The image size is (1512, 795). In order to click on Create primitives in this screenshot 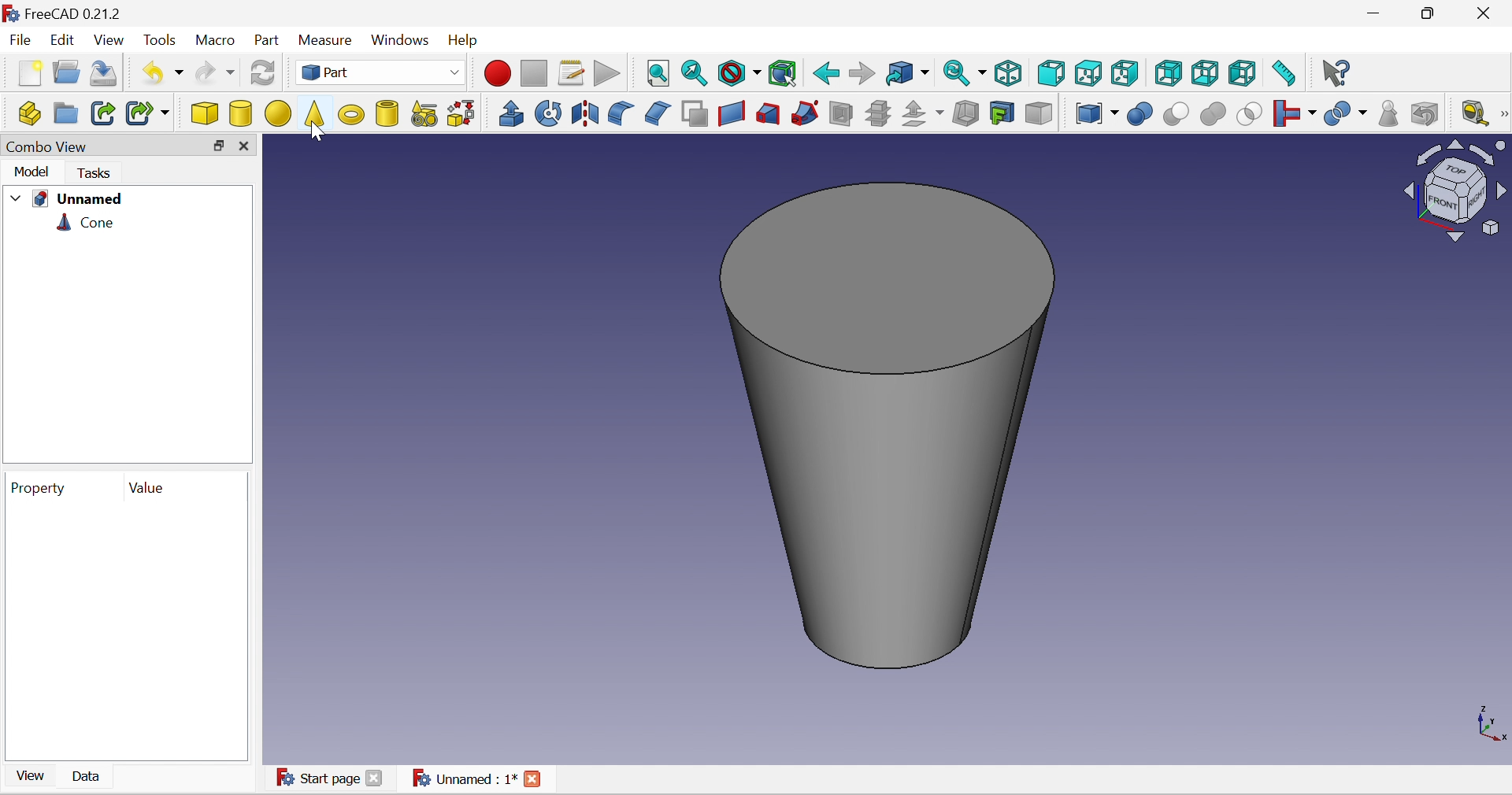, I will do `click(425, 114)`.